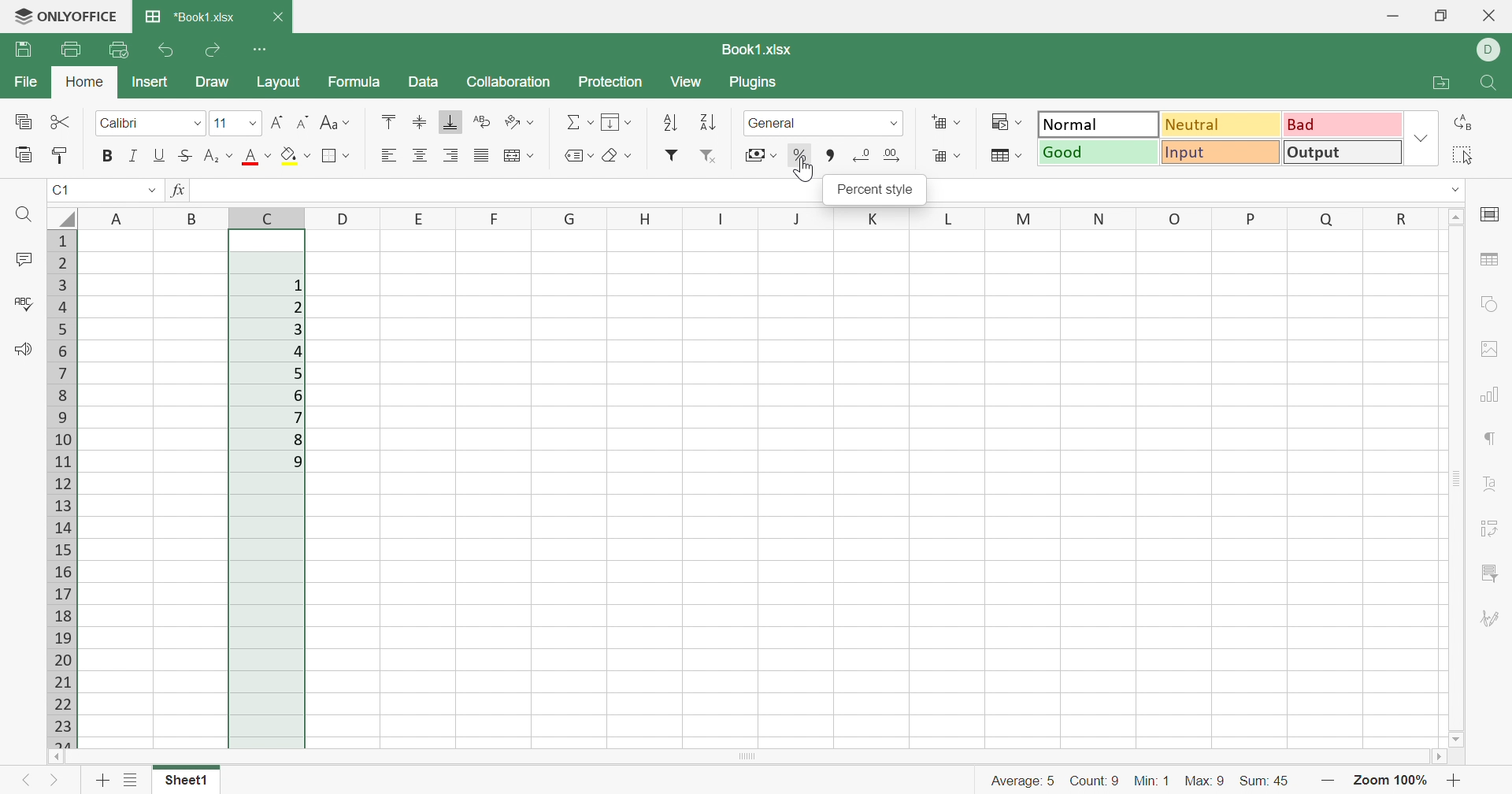 This screenshot has width=1512, height=794. What do you see at coordinates (20, 259) in the screenshot?
I see `Comments` at bounding box center [20, 259].